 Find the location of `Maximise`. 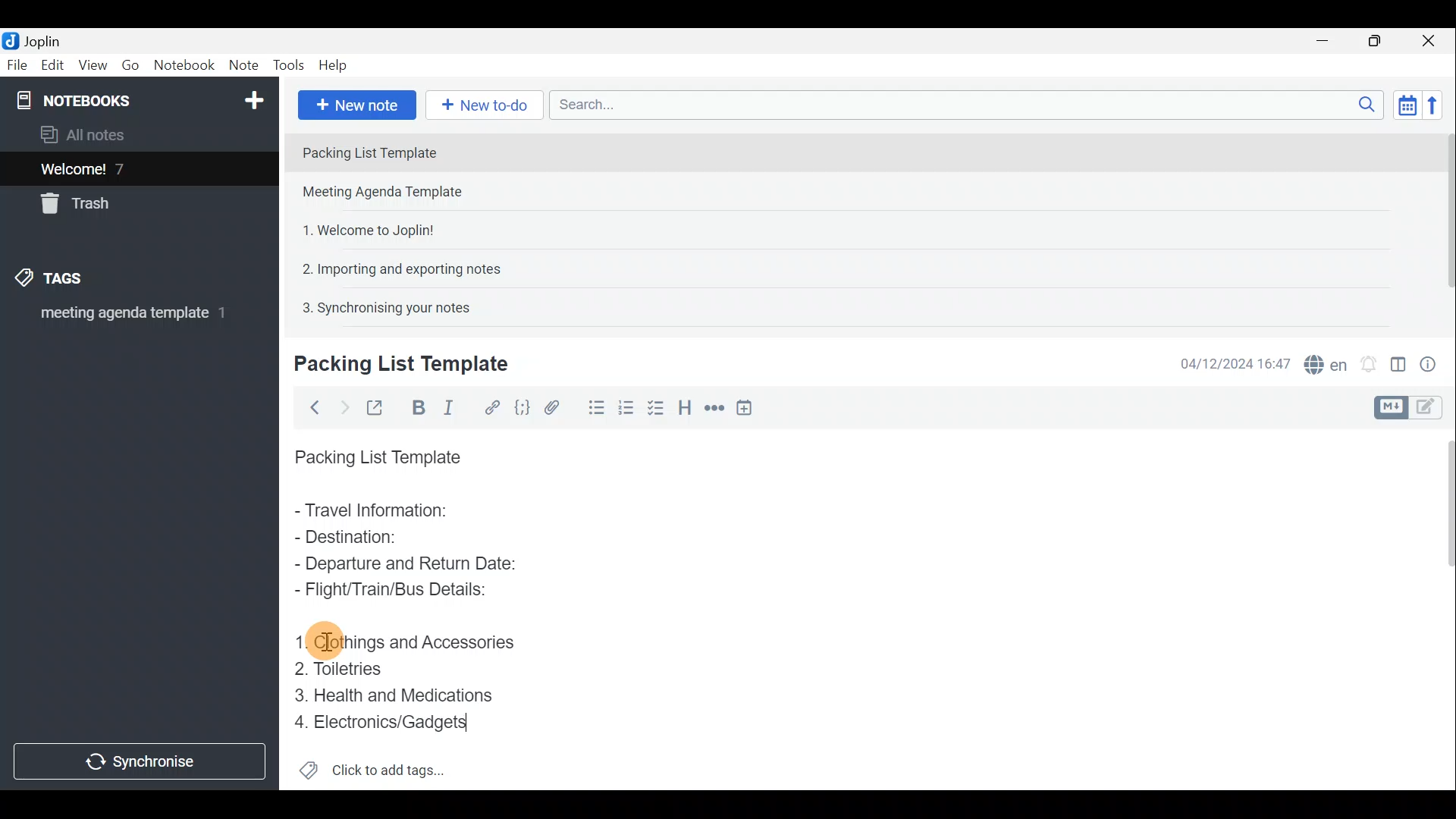

Maximise is located at coordinates (1380, 41).